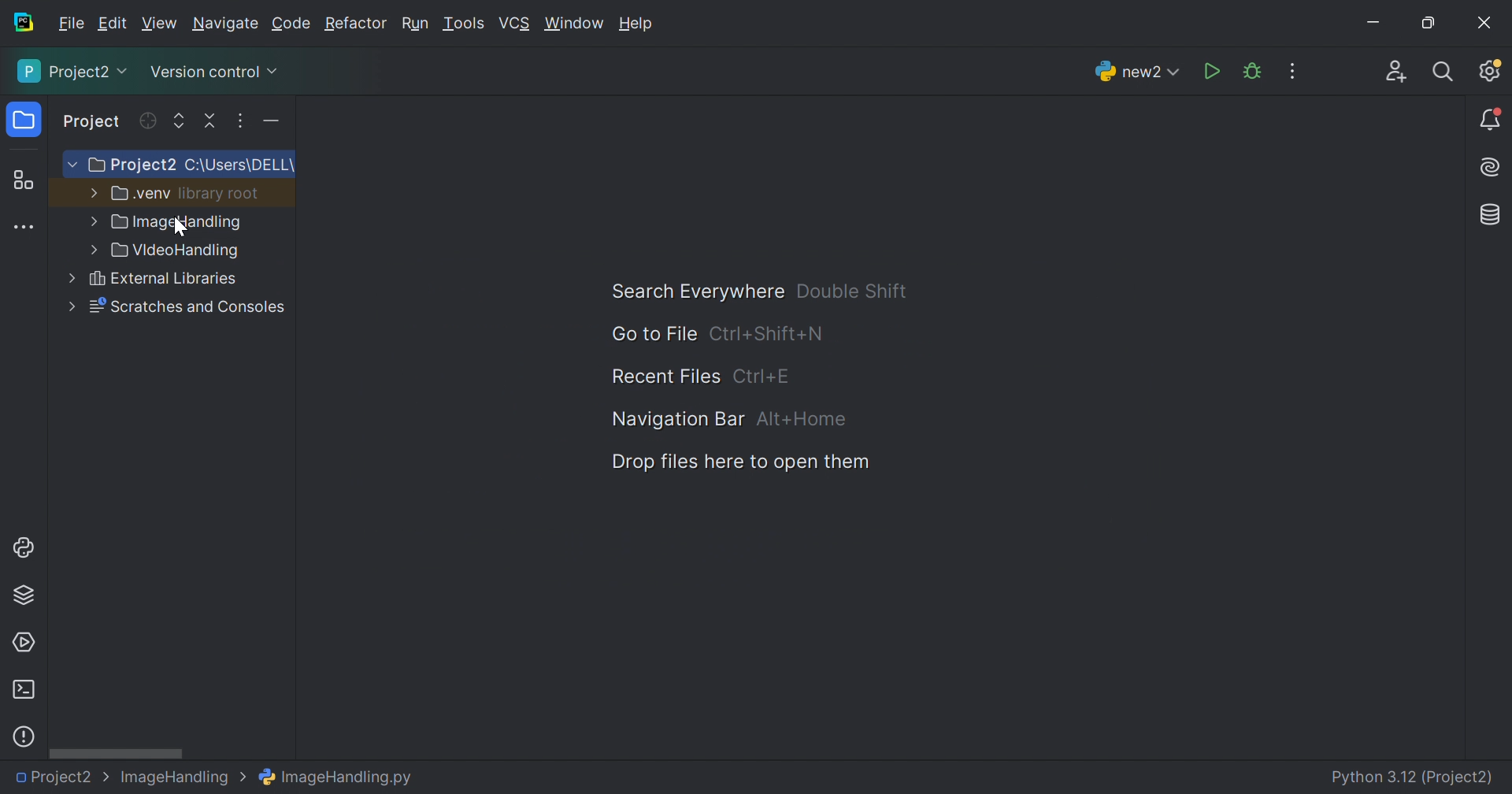 The image size is (1512, 794). What do you see at coordinates (116, 752) in the screenshot?
I see `Scroll bar` at bounding box center [116, 752].